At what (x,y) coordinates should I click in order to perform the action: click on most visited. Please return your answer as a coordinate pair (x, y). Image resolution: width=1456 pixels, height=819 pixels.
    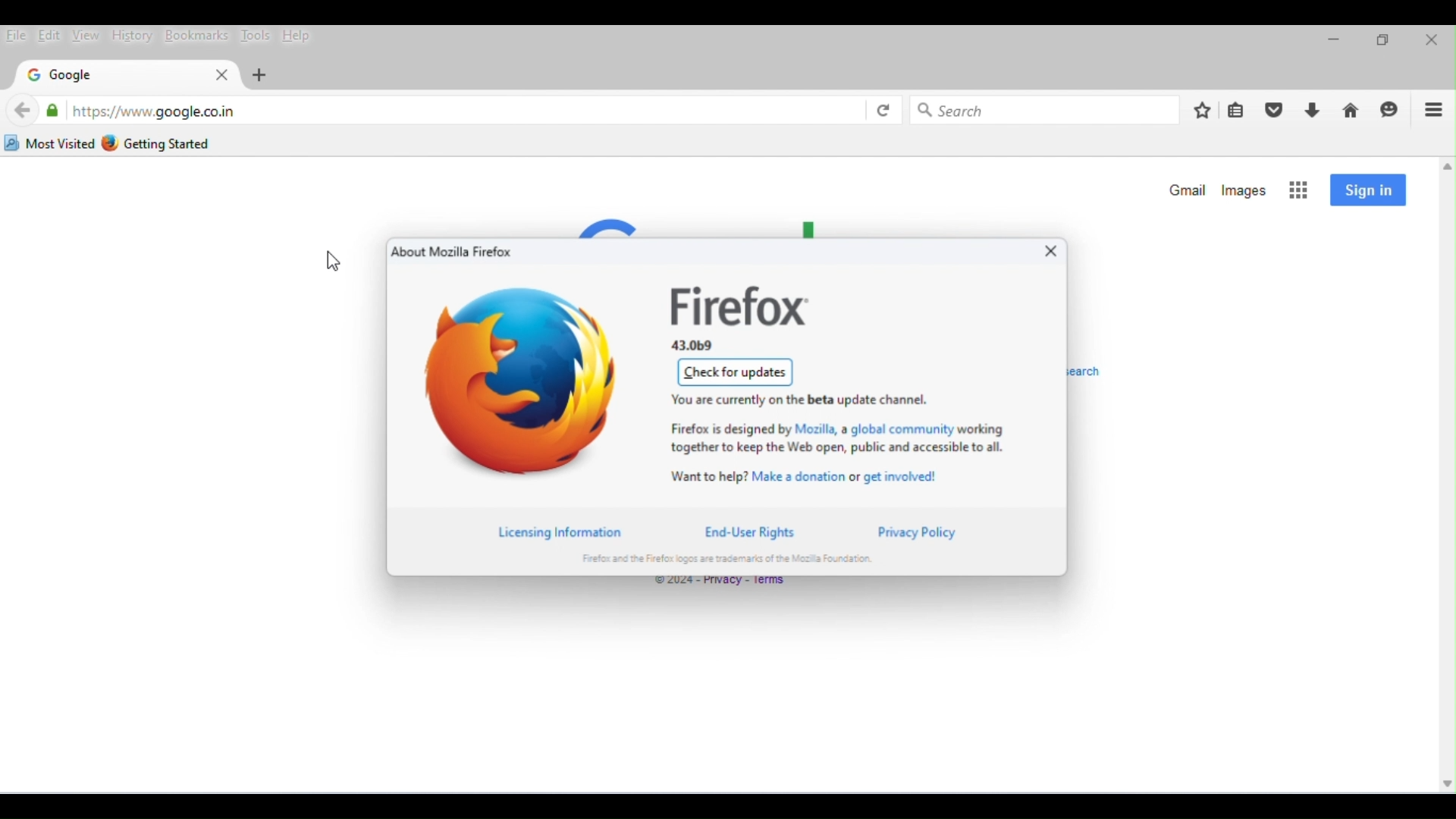
    Looking at the image, I should click on (50, 143).